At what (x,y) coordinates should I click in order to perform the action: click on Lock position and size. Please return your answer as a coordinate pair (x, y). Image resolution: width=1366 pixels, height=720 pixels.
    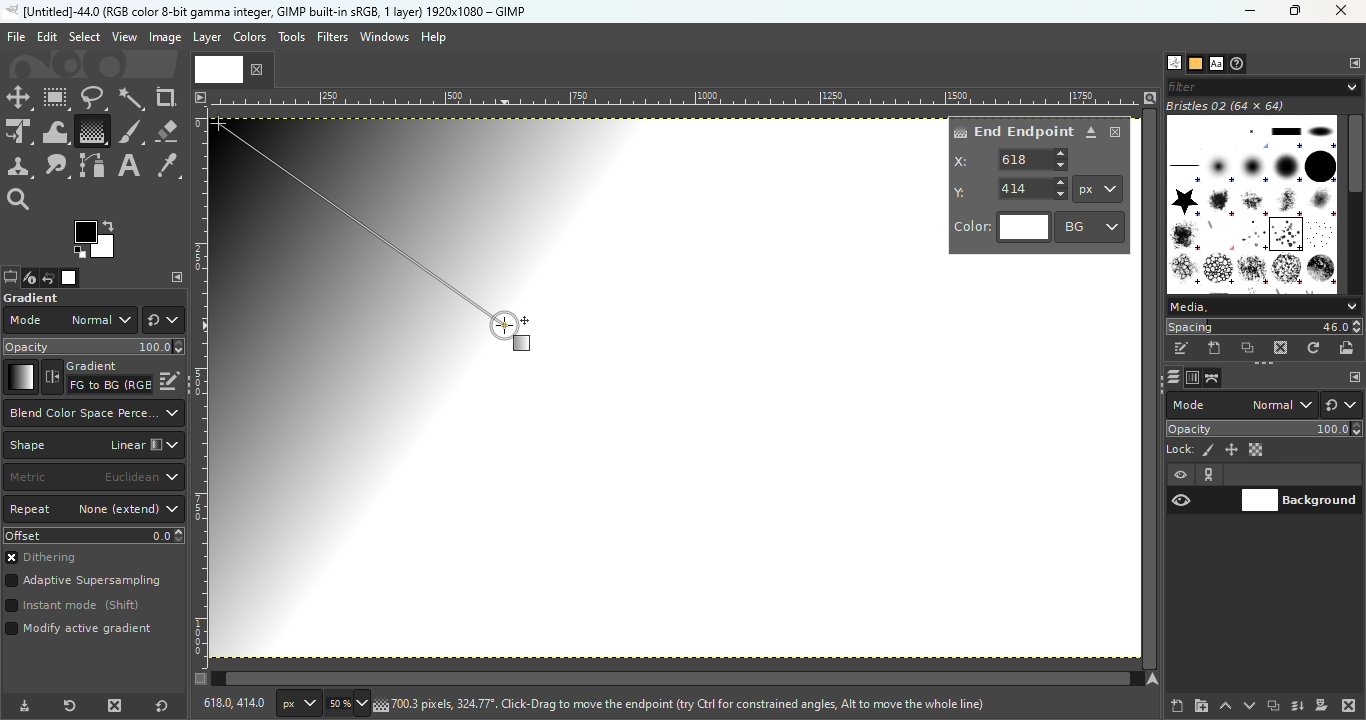
    Looking at the image, I should click on (1230, 449).